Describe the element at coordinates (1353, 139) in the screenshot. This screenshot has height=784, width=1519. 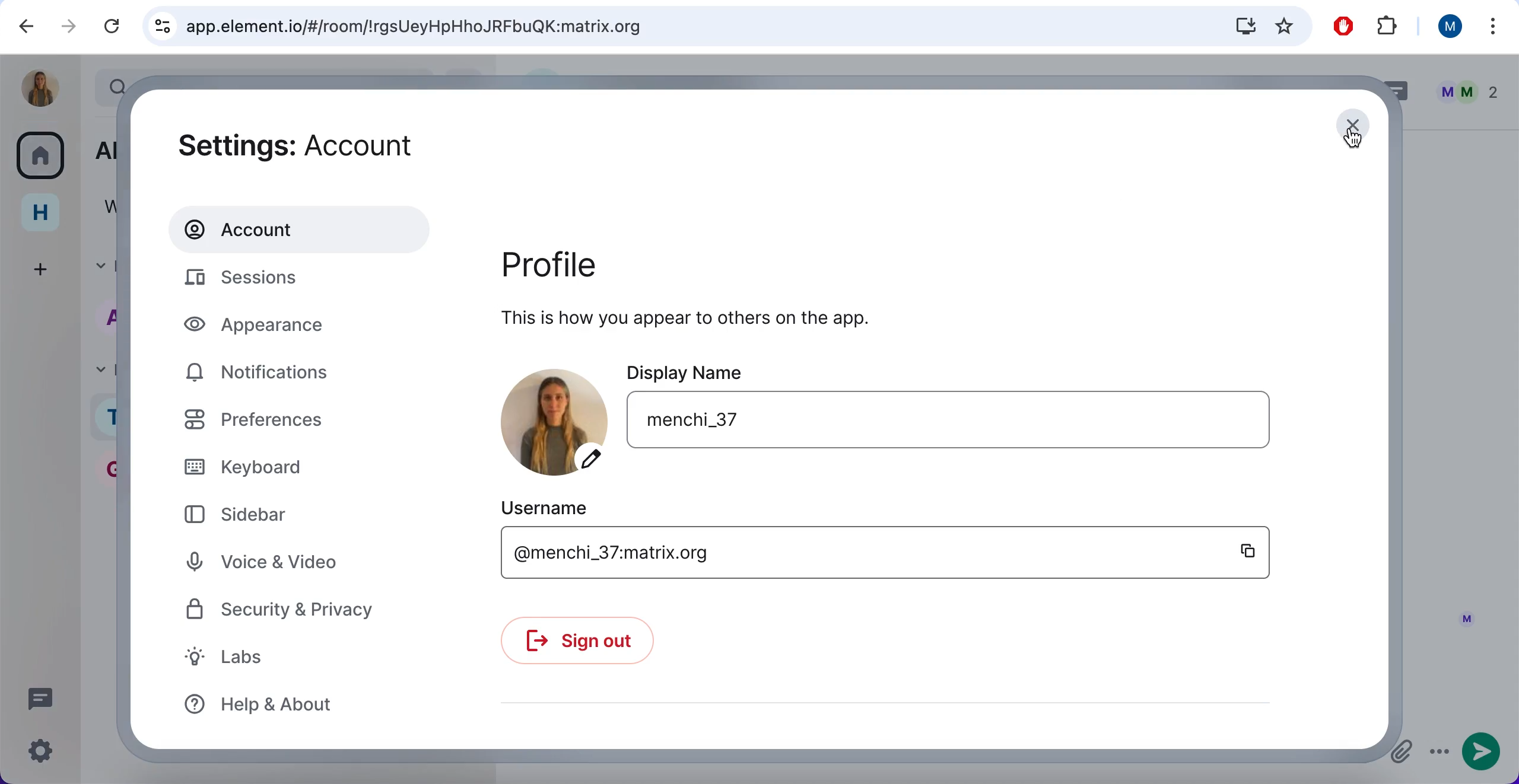
I see `cursor` at that location.